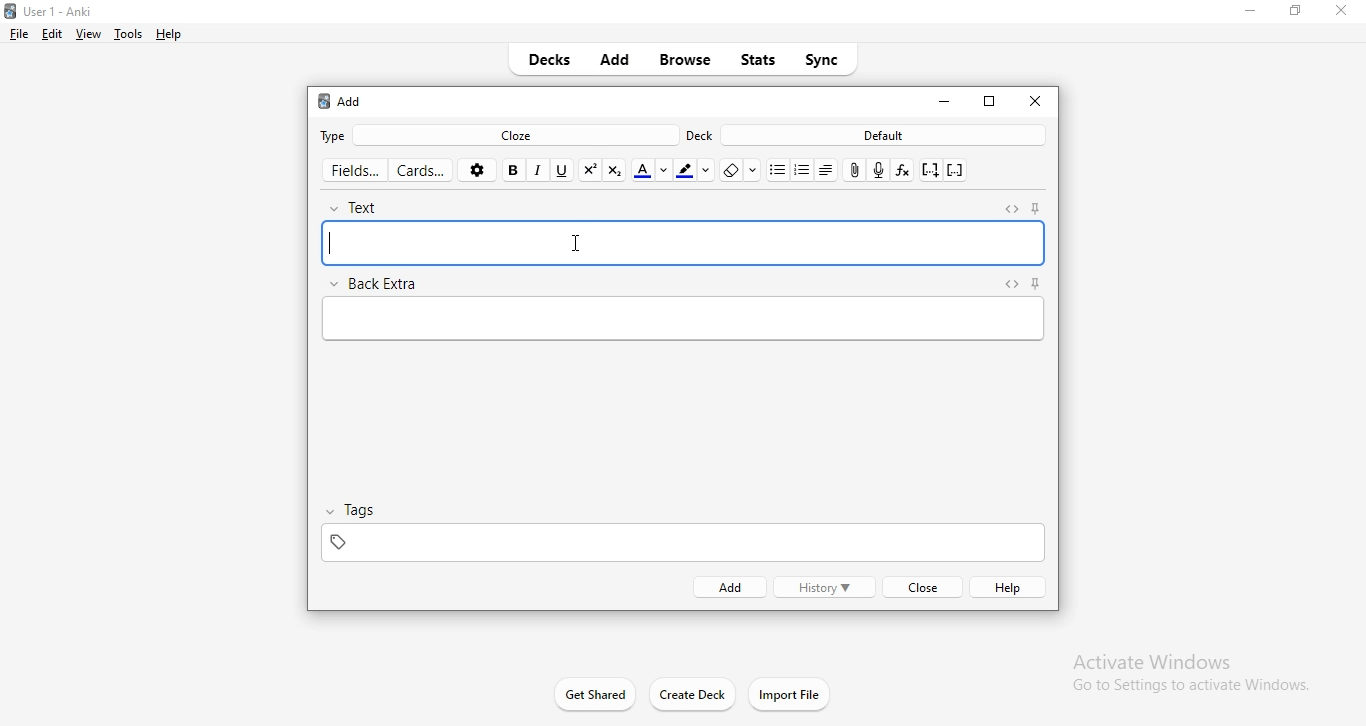 The width and height of the screenshot is (1366, 726). I want to click on Activate Windows Go to Settings to activate Windows., so click(1182, 671).